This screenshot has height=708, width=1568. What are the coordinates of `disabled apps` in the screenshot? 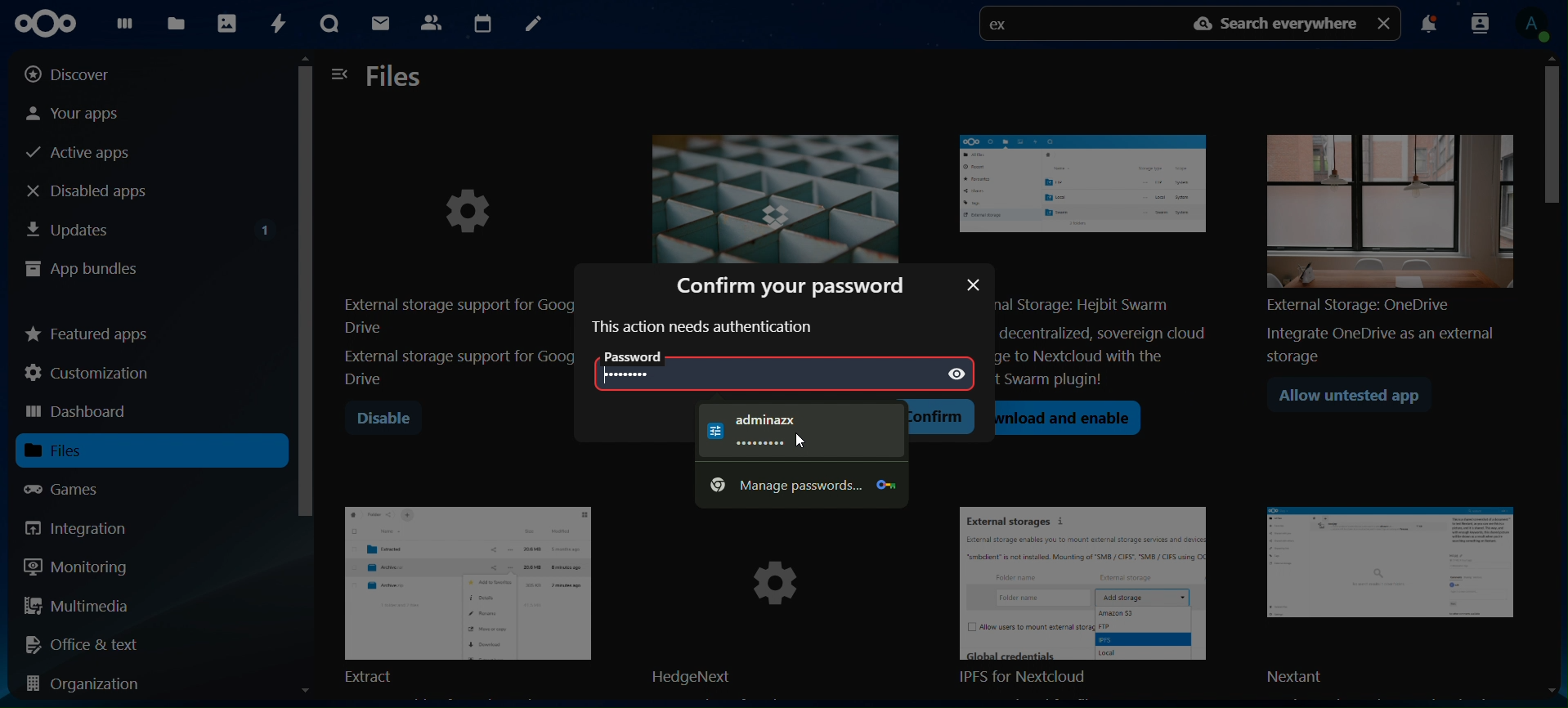 It's located at (101, 190).